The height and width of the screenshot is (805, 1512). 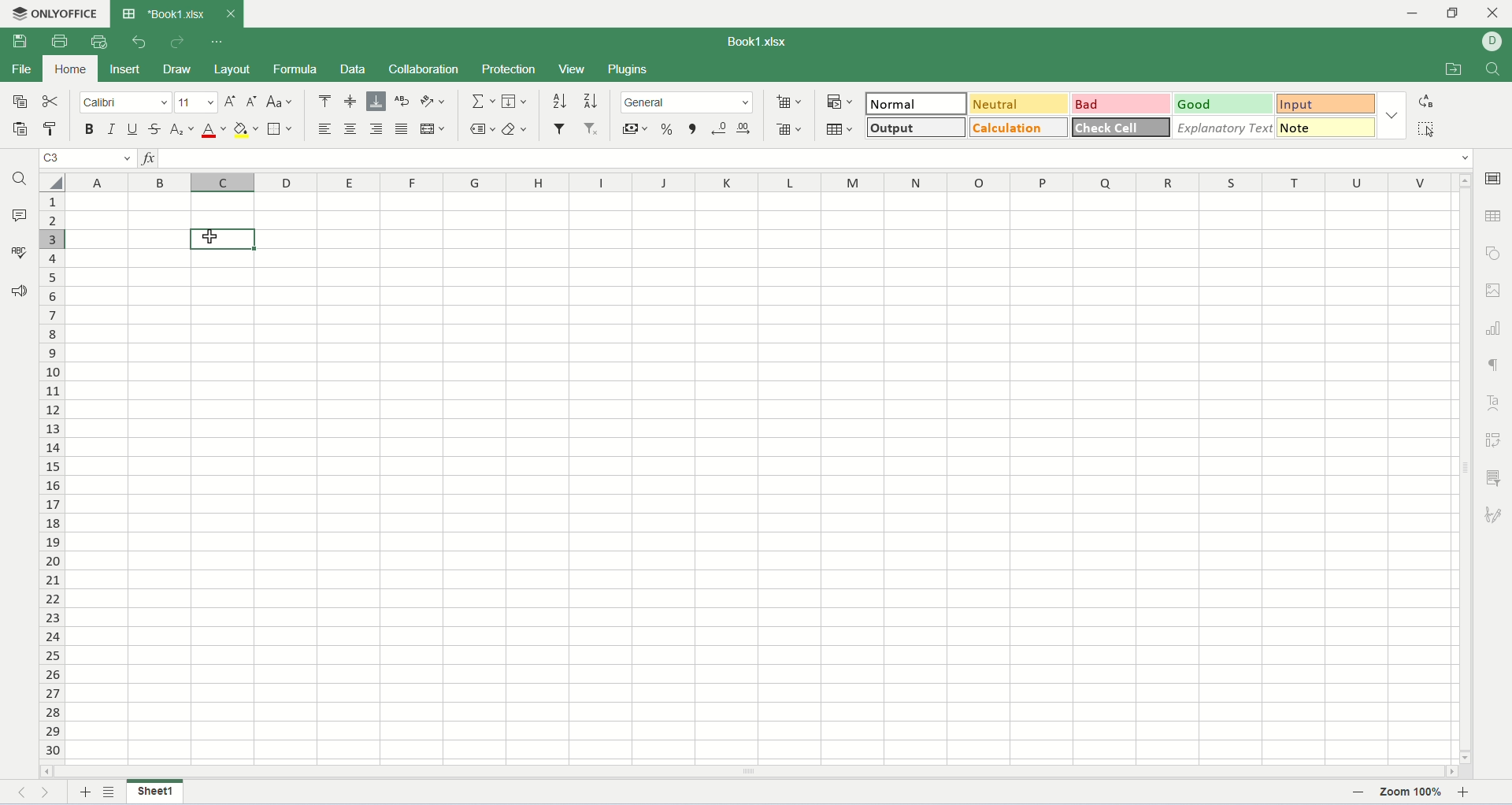 I want to click on input, so click(x=1326, y=103).